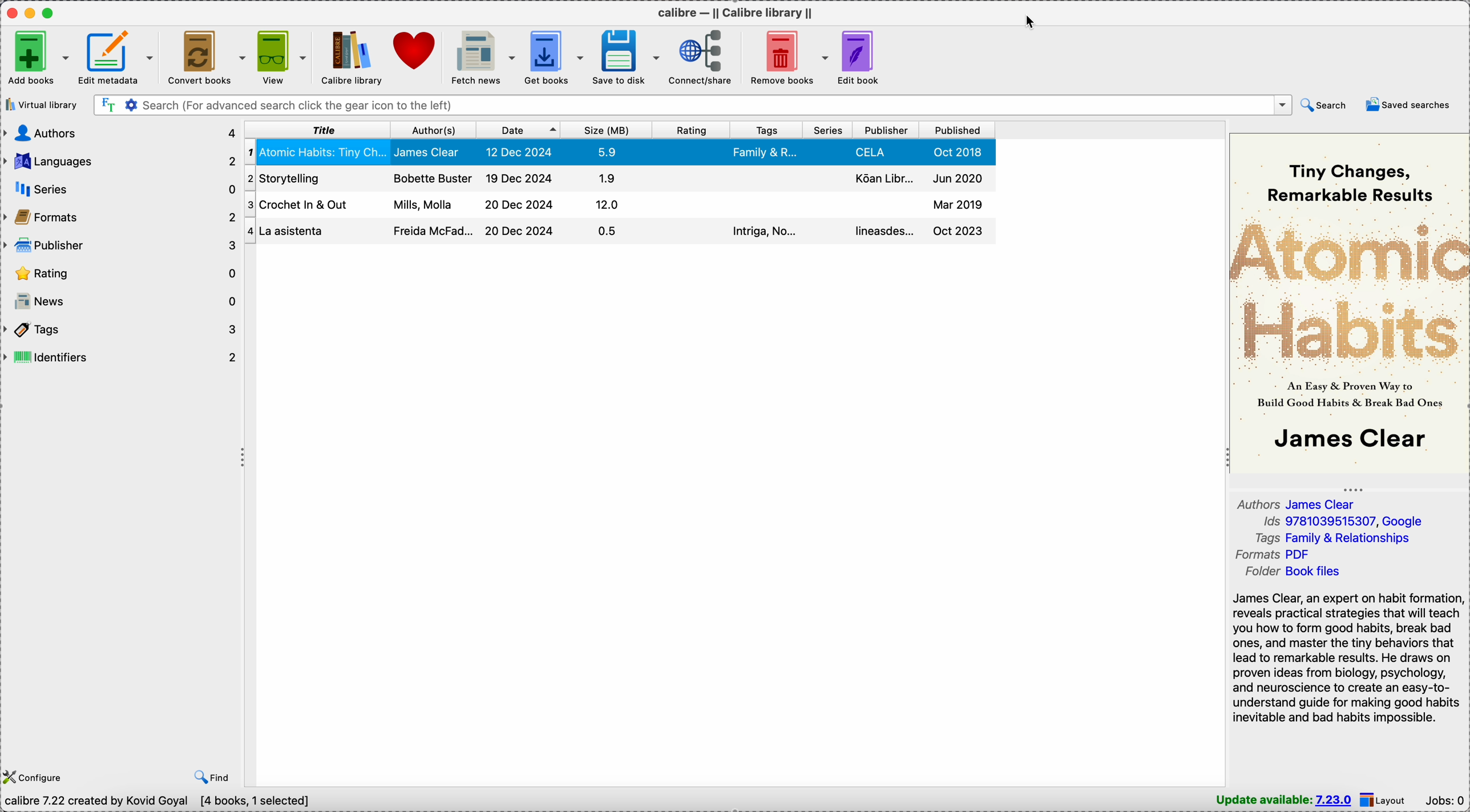  Describe the element at coordinates (283, 58) in the screenshot. I see `view` at that location.